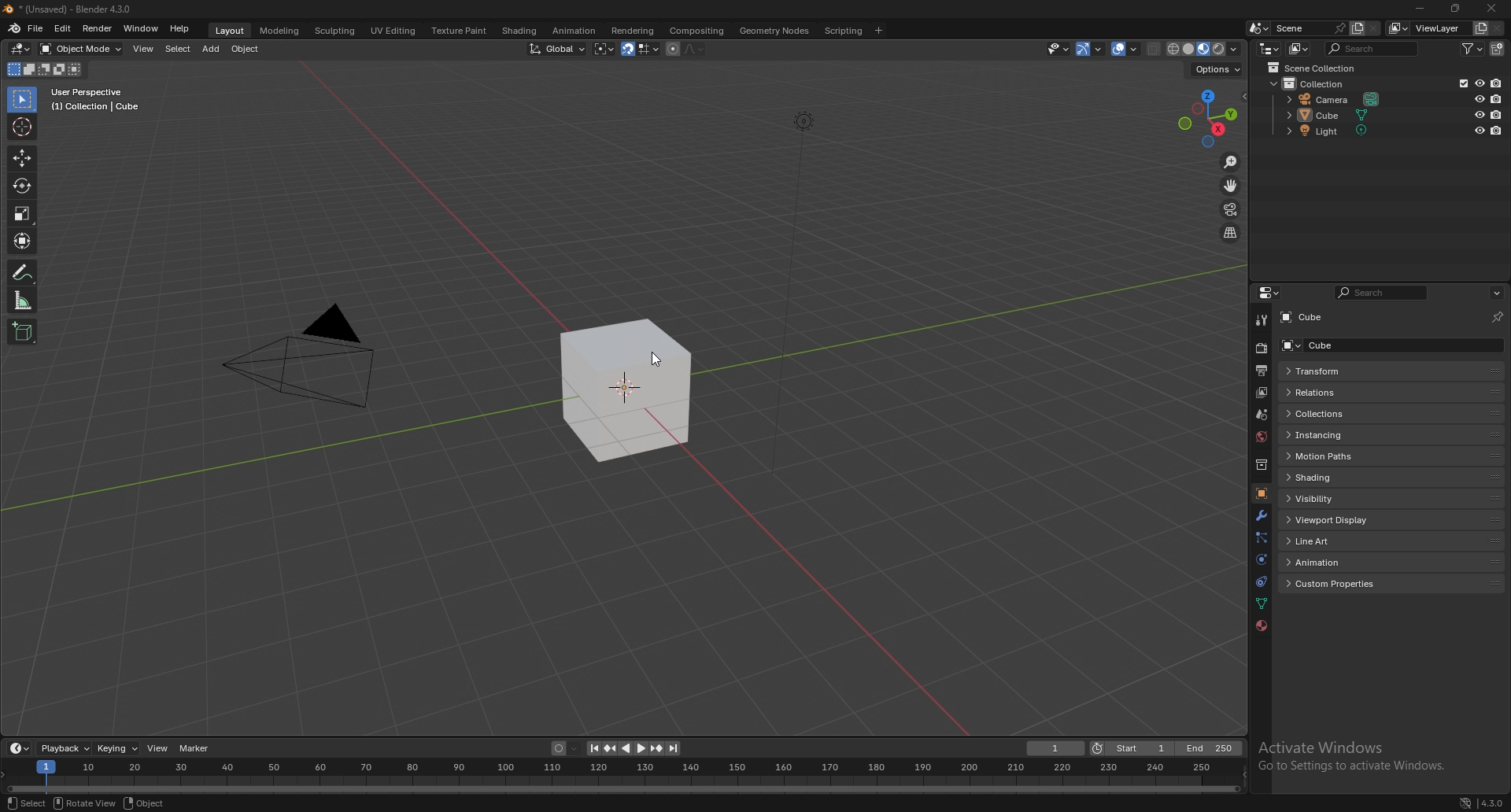 The width and height of the screenshot is (1511, 812). Describe the element at coordinates (82, 48) in the screenshot. I see `object mode` at that location.